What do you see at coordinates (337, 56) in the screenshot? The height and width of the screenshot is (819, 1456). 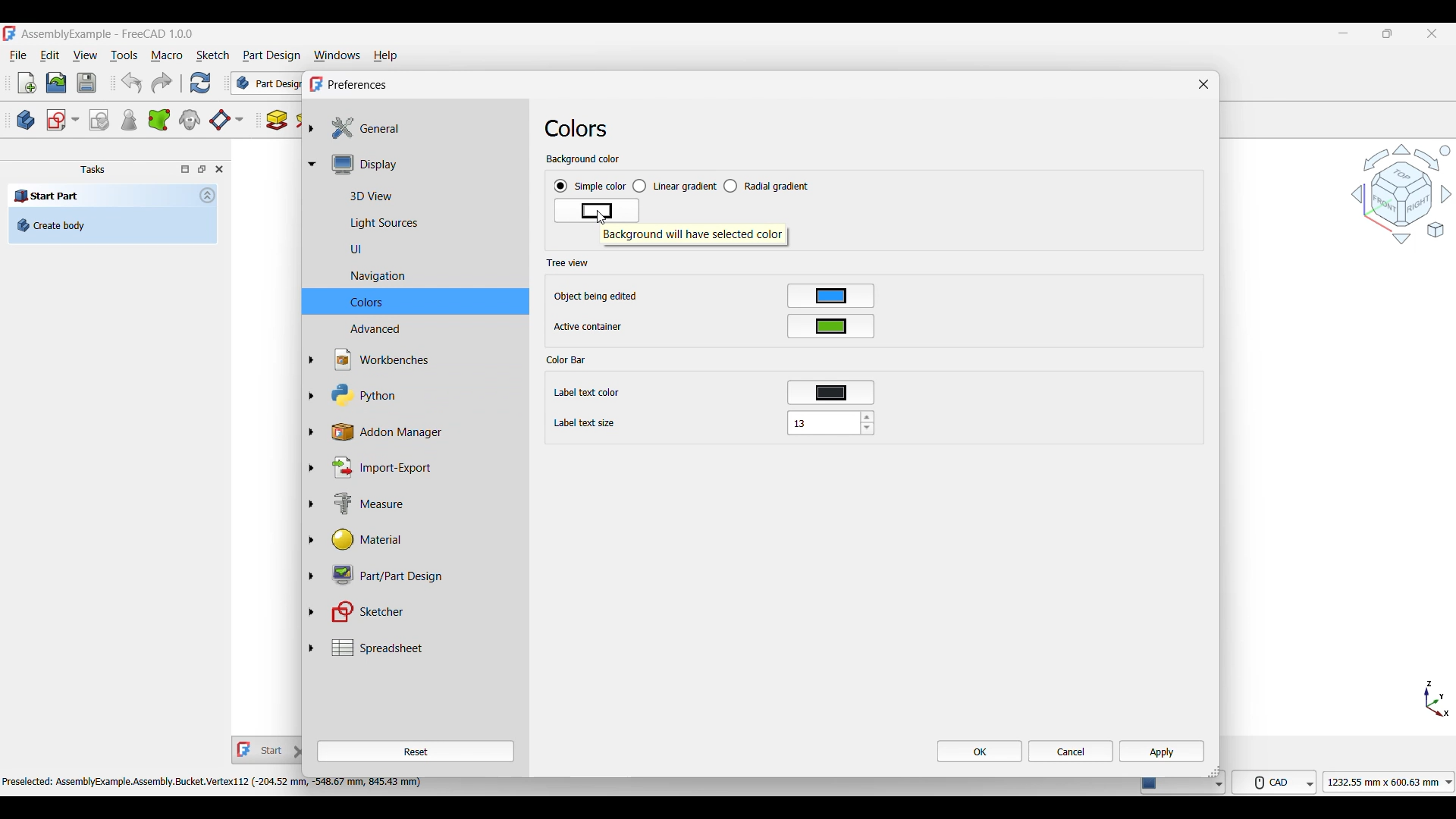 I see `Windows menu` at bounding box center [337, 56].